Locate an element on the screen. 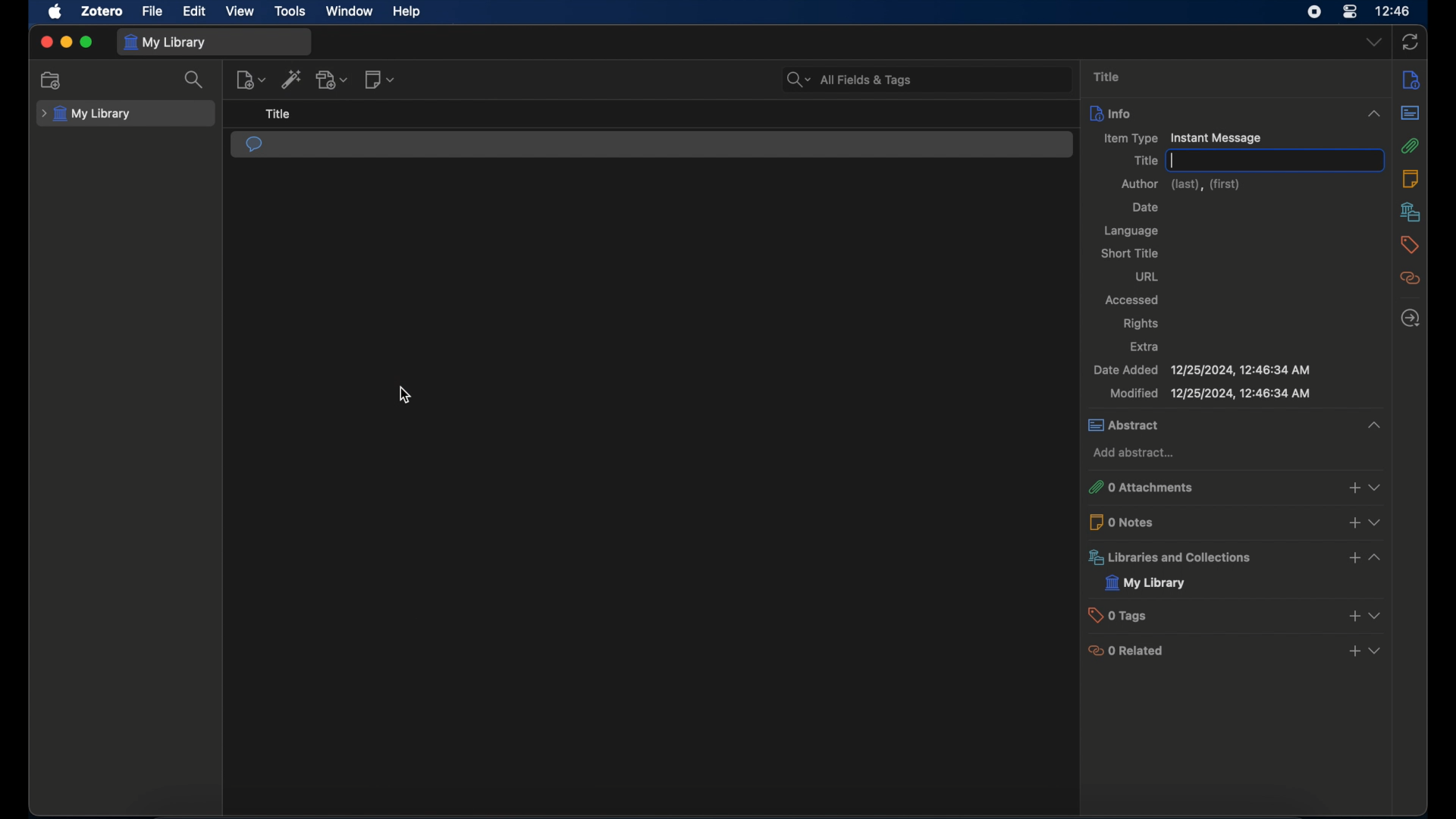 This screenshot has height=819, width=1456. help is located at coordinates (408, 12).